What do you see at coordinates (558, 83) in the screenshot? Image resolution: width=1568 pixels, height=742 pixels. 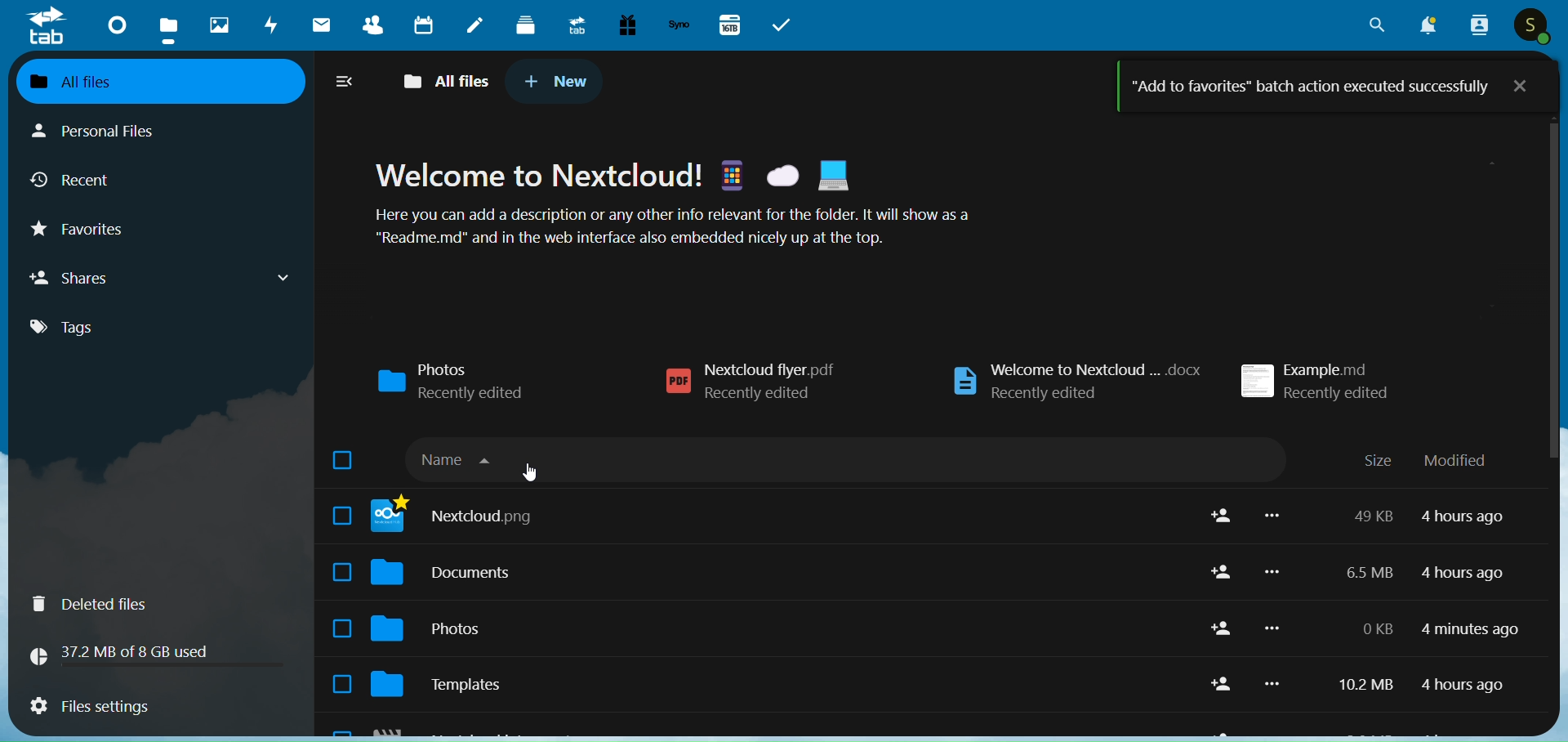 I see `new tab` at bounding box center [558, 83].